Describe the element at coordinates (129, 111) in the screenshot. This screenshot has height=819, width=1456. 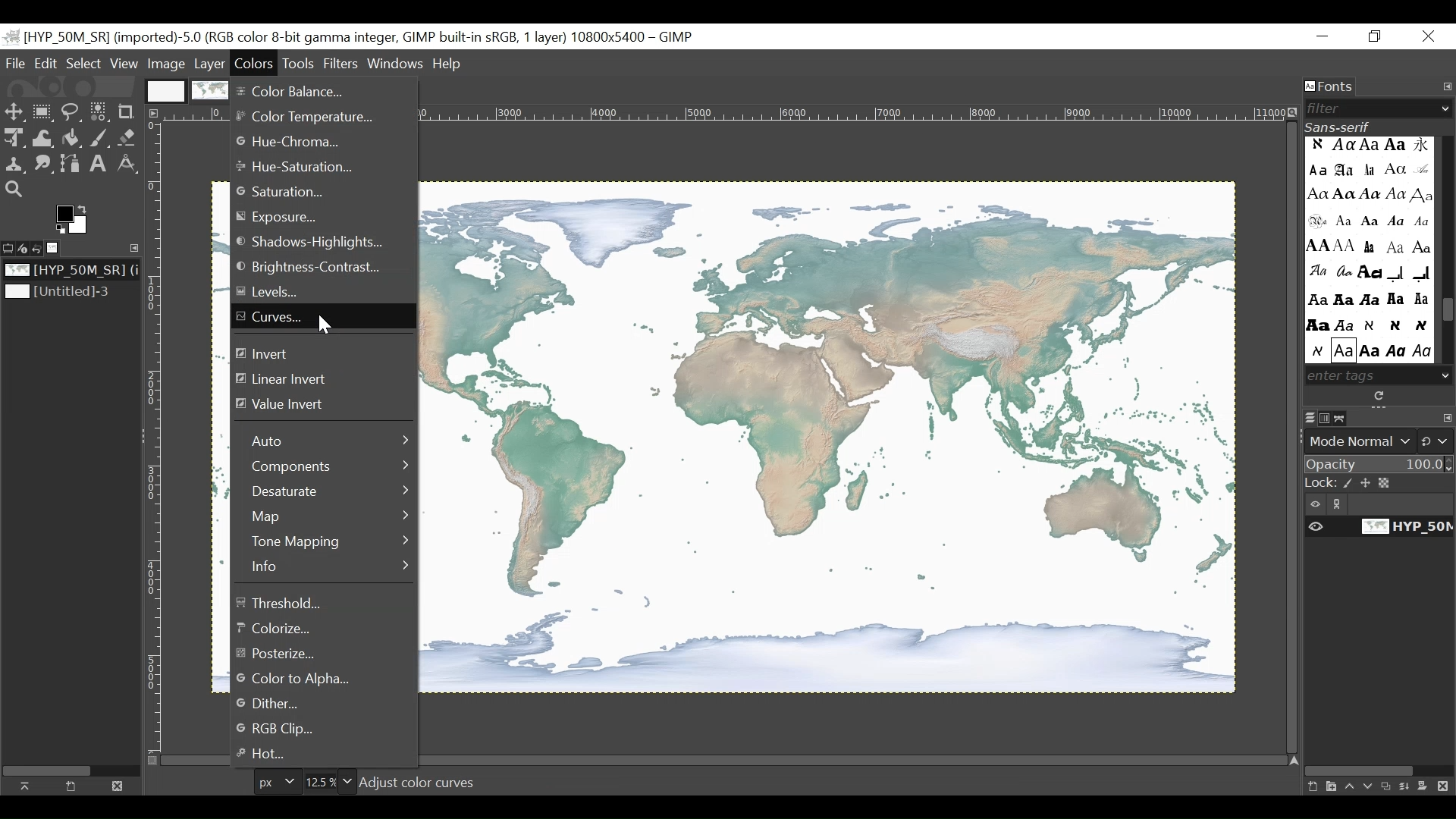
I see `Crop Tool` at that location.